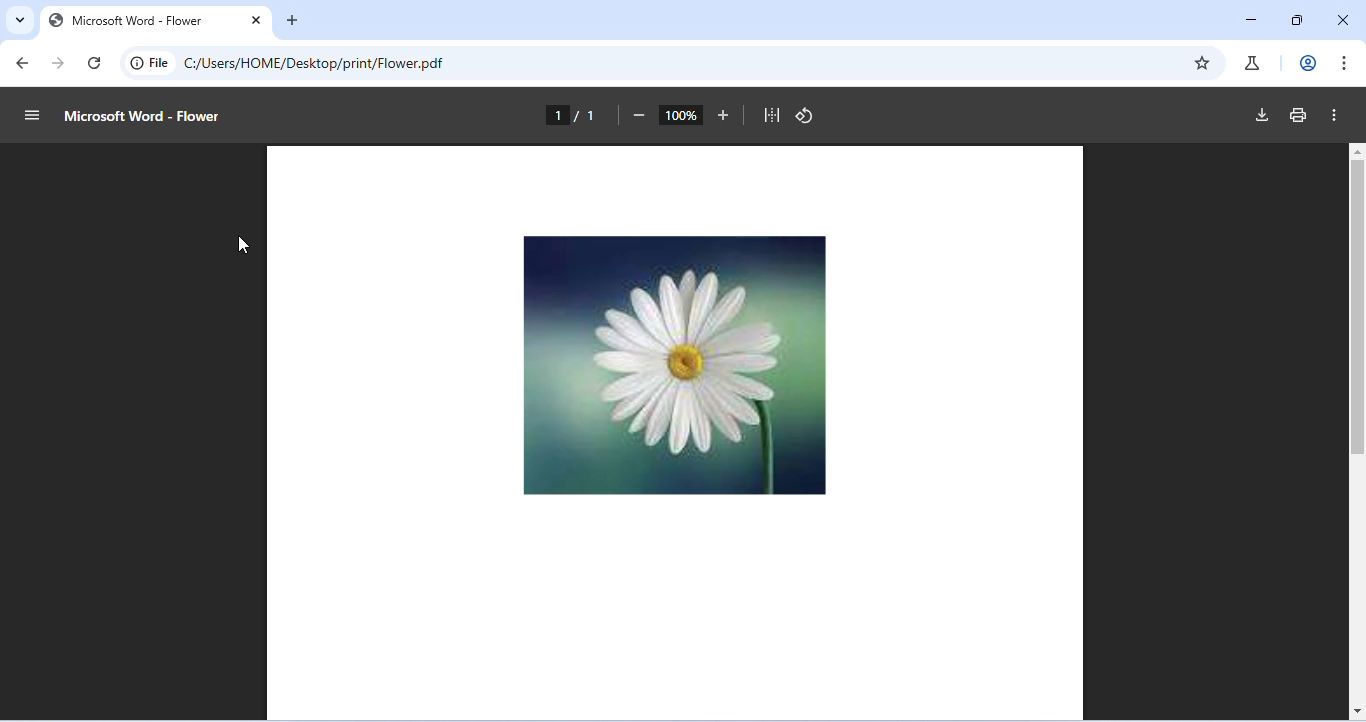 This screenshot has height=722, width=1366. I want to click on fit to page, so click(773, 115).